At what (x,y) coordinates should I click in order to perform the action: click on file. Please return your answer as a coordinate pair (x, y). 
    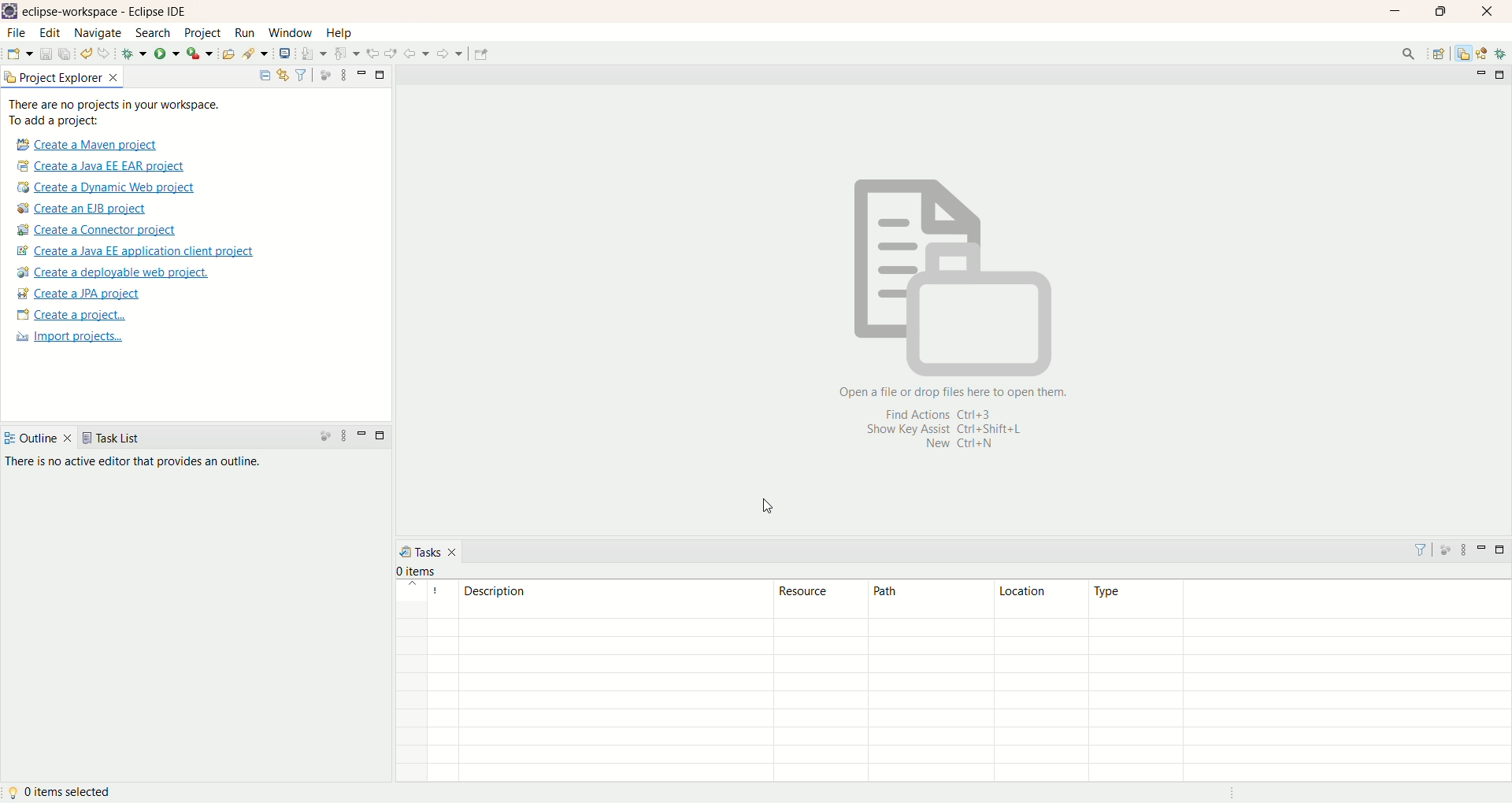
    Looking at the image, I should click on (17, 33).